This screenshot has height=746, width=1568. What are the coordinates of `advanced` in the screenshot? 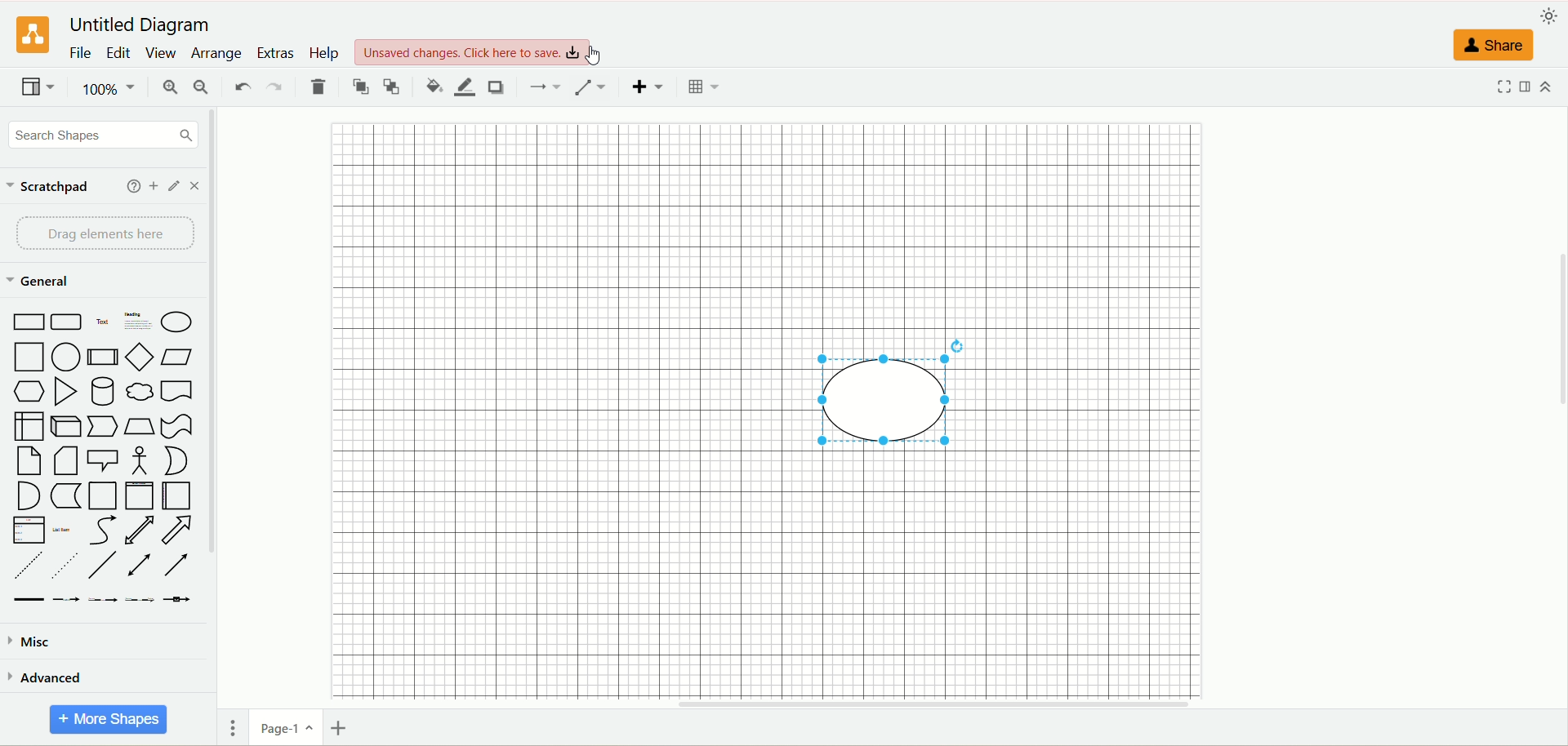 It's located at (61, 678).